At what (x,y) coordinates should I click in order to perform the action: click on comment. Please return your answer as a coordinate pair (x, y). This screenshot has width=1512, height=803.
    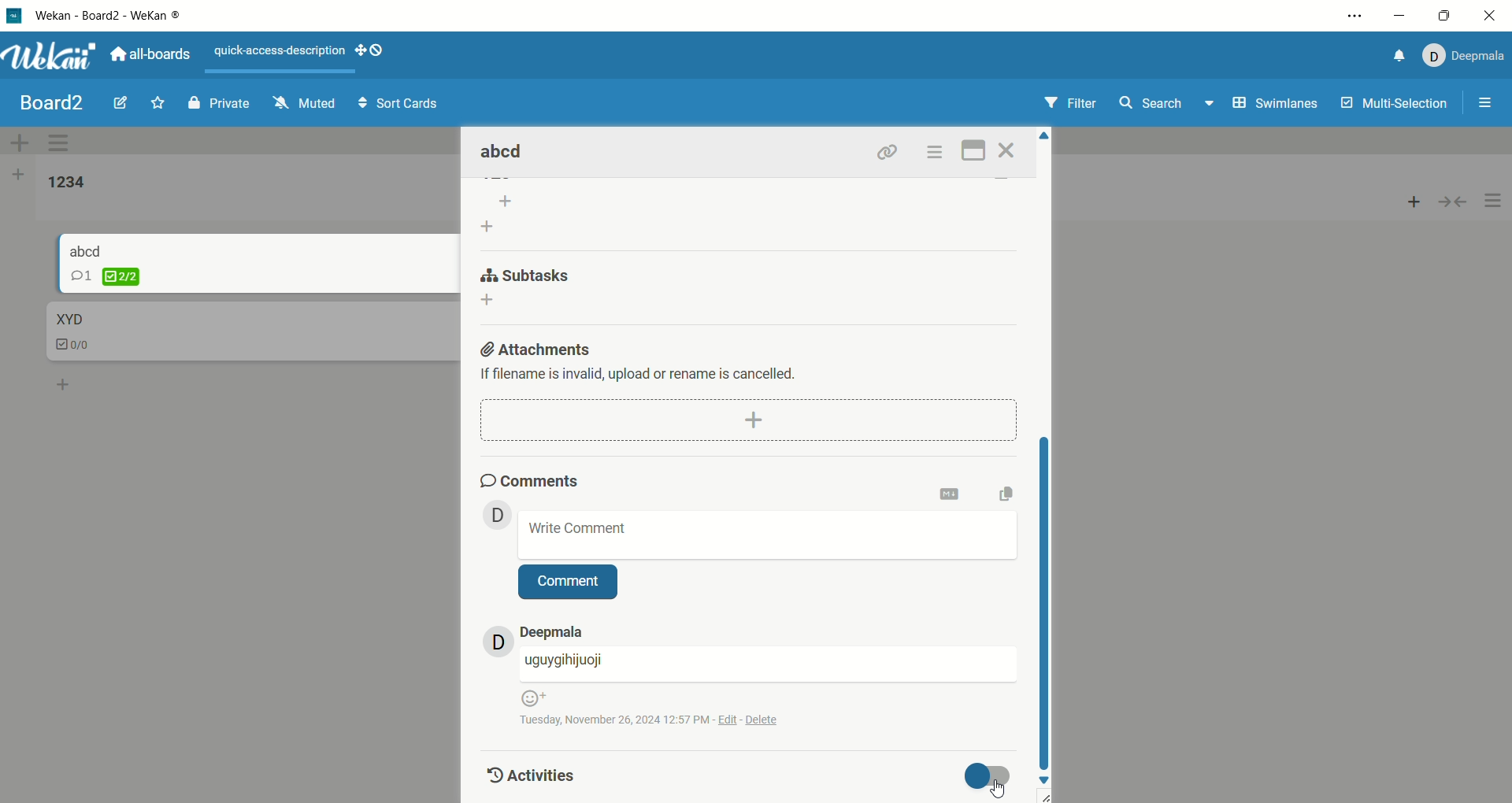
    Looking at the image, I should click on (569, 583).